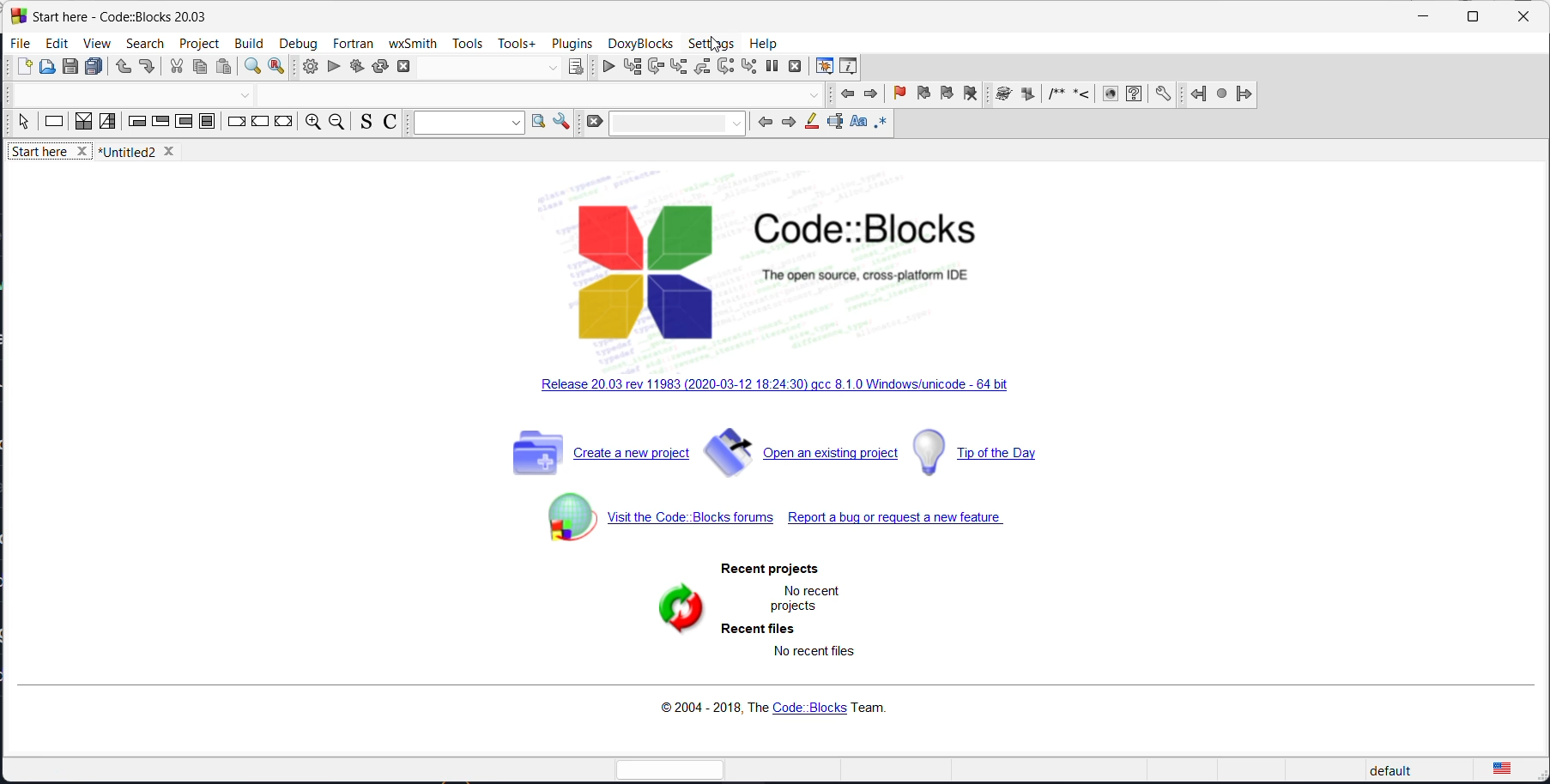 This screenshot has width=1550, height=784. Describe the element at coordinates (995, 451) in the screenshot. I see `tip of the day` at that location.